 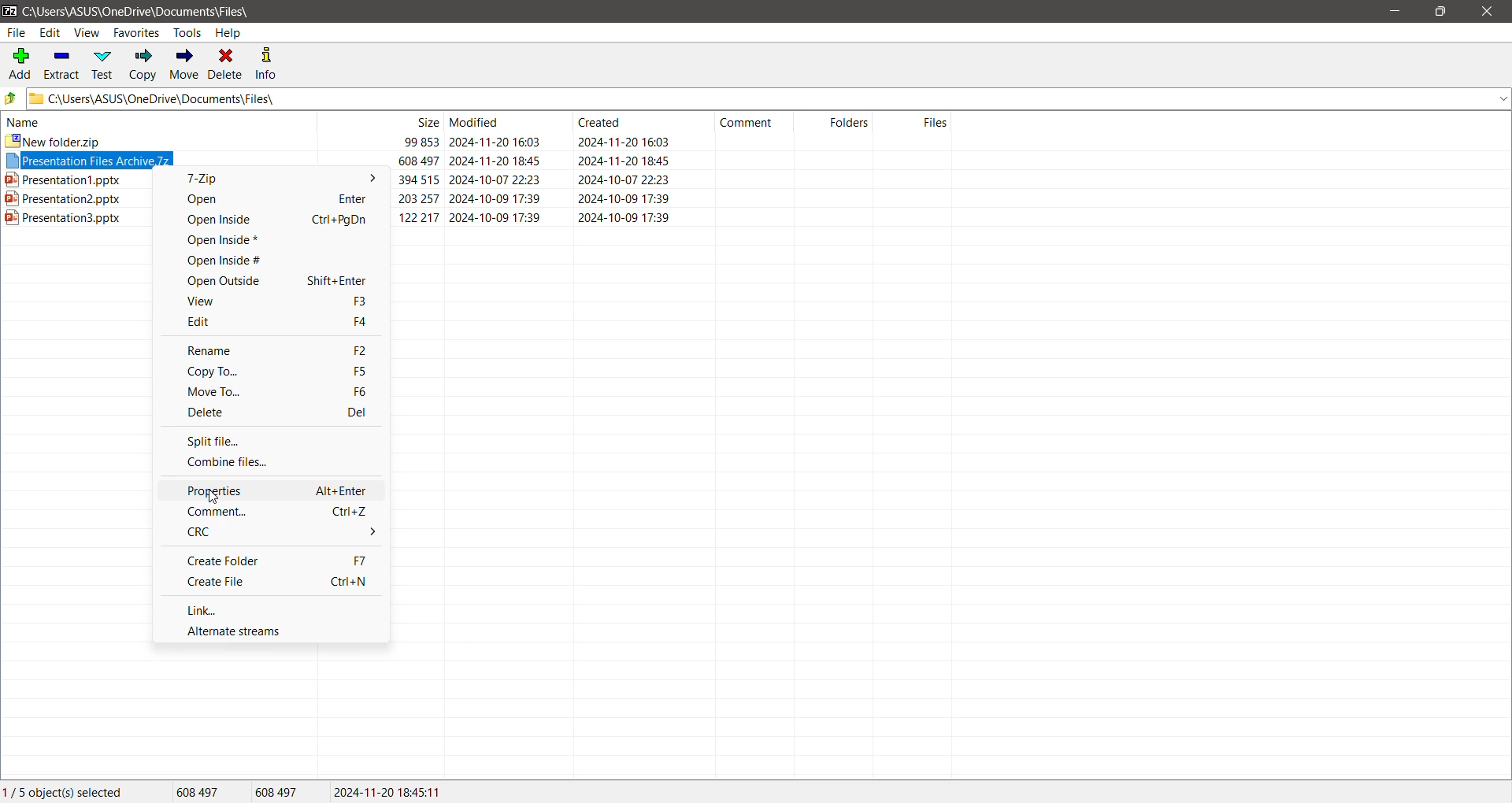 I want to click on Current Folder Path, so click(x=770, y=98).